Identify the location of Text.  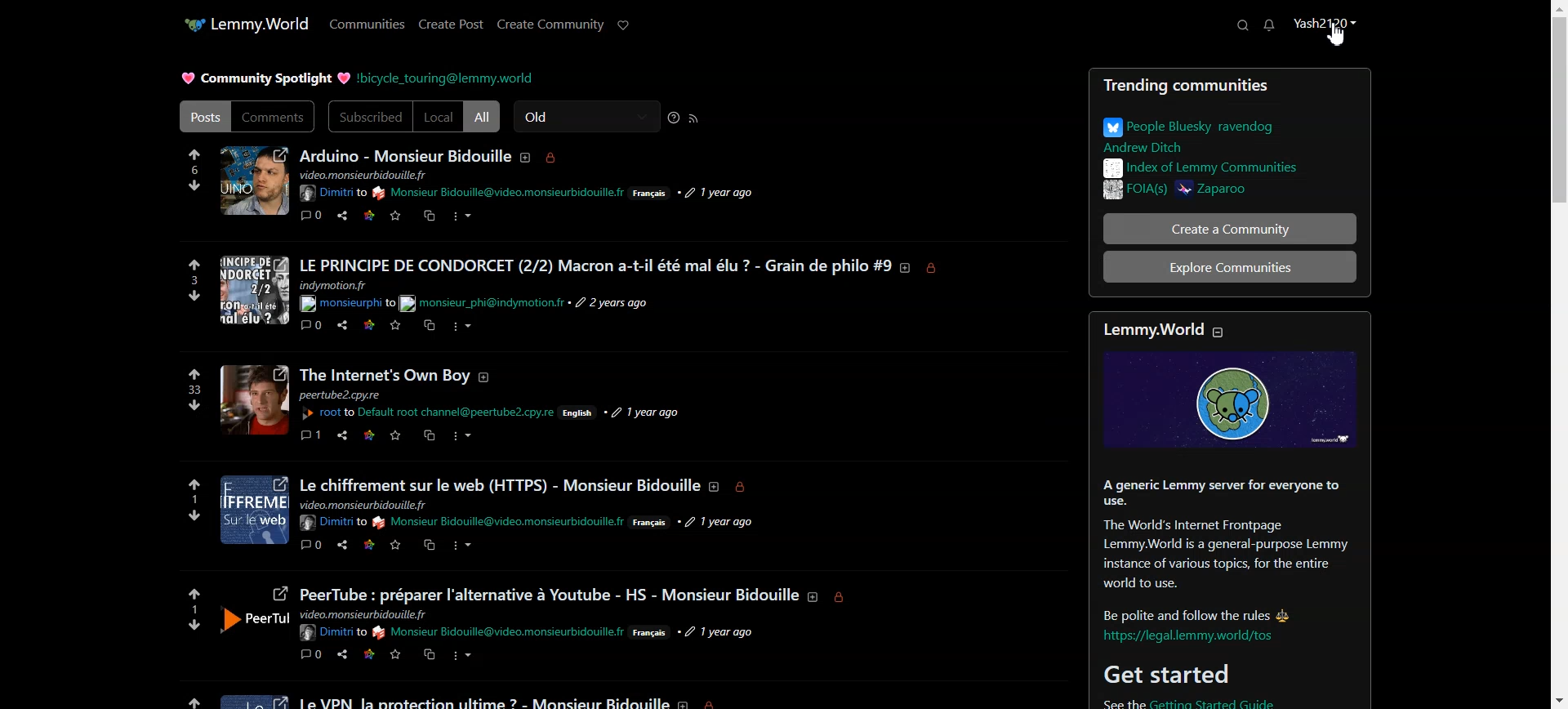
(264, 79).